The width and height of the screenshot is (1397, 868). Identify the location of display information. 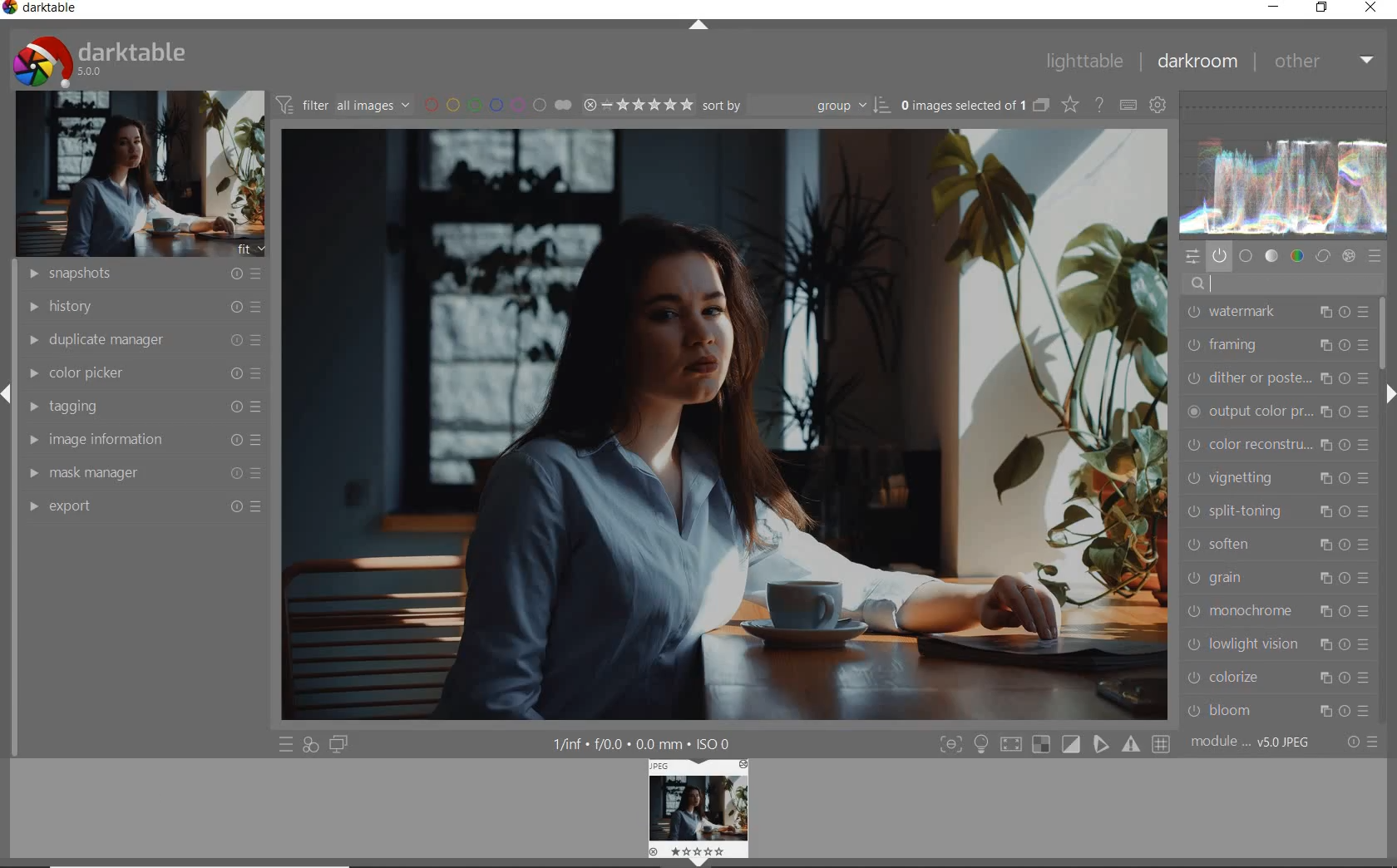
(644, 742).